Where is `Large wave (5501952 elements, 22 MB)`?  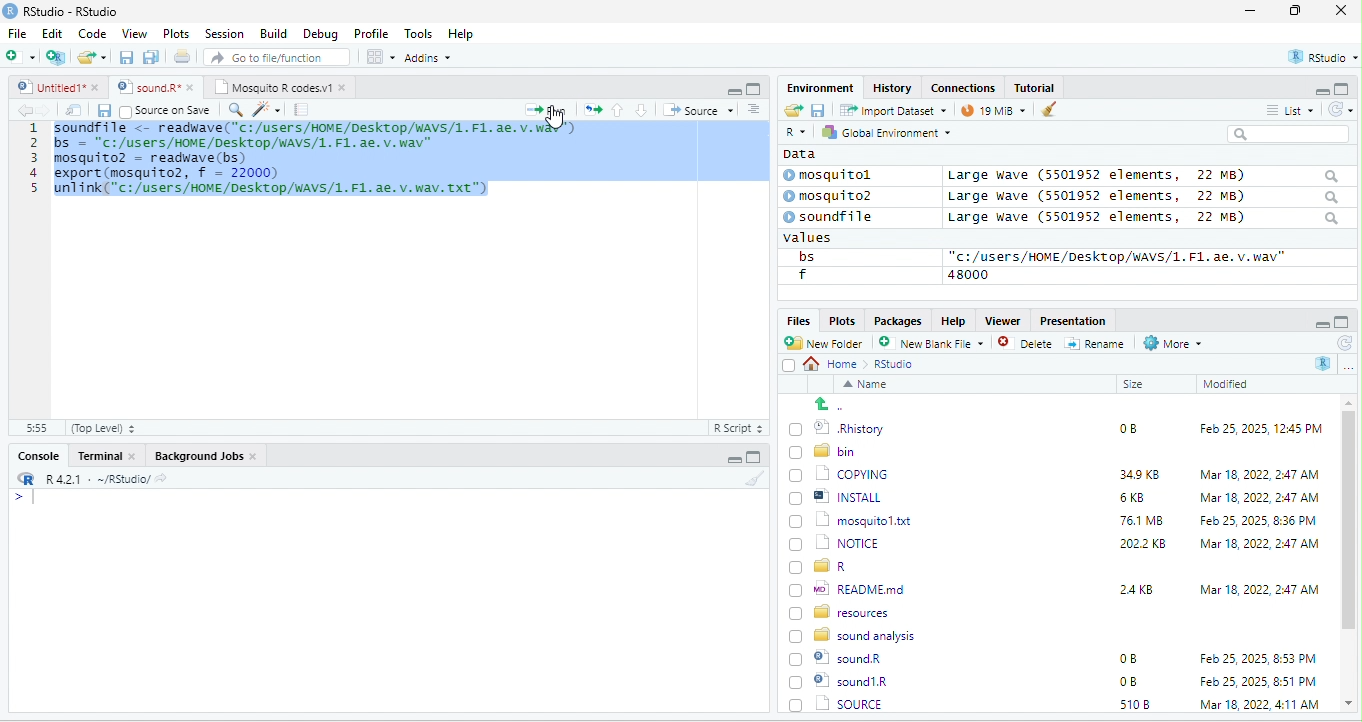 Large wave (5501952 elements, 22 MB) is located at coordinates (1144, 219).